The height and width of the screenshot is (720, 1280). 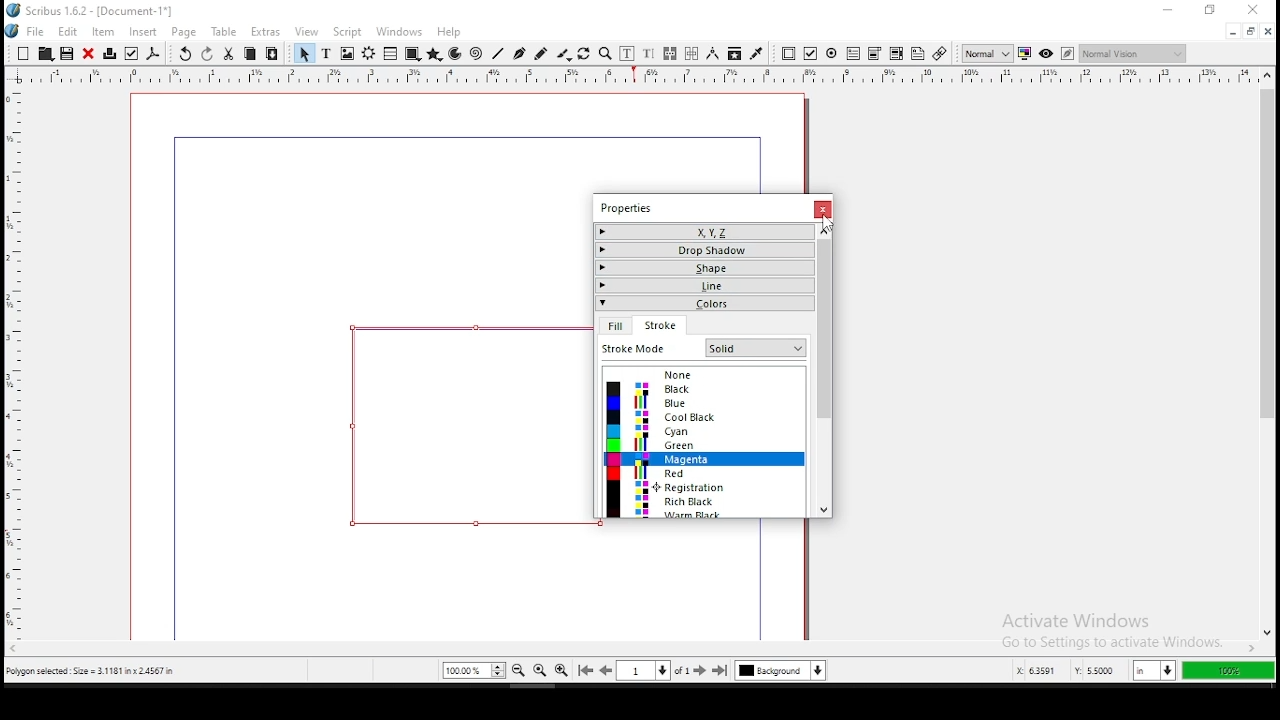 What do you see at coordinates (564, 54) in the screenshot?
I see `calligraphy line` at bounding box center [564, 54].